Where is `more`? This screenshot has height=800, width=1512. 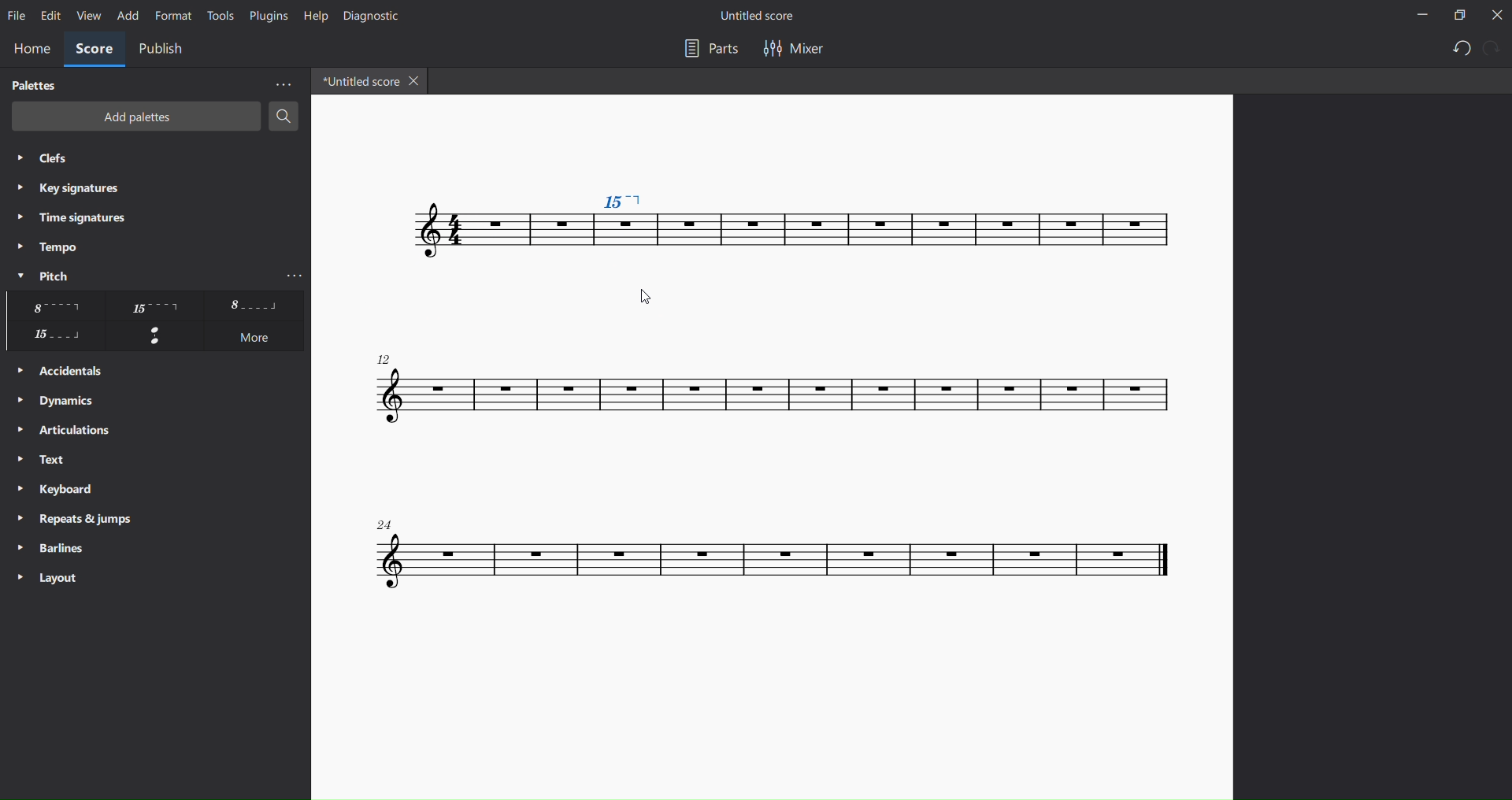
more is located at coordinates (278, 85).